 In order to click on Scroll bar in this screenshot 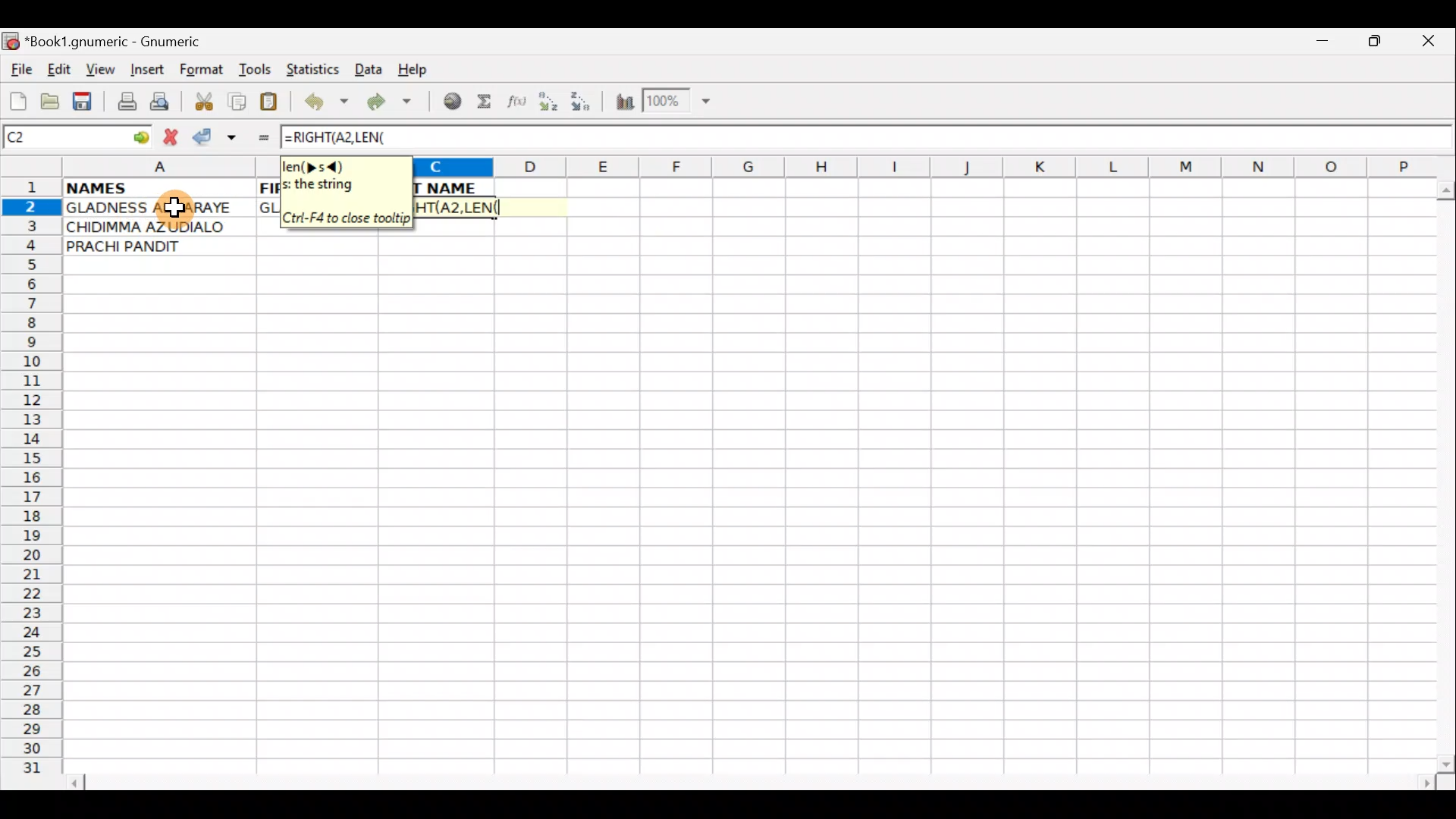, I will do `click(1442, 473)`.